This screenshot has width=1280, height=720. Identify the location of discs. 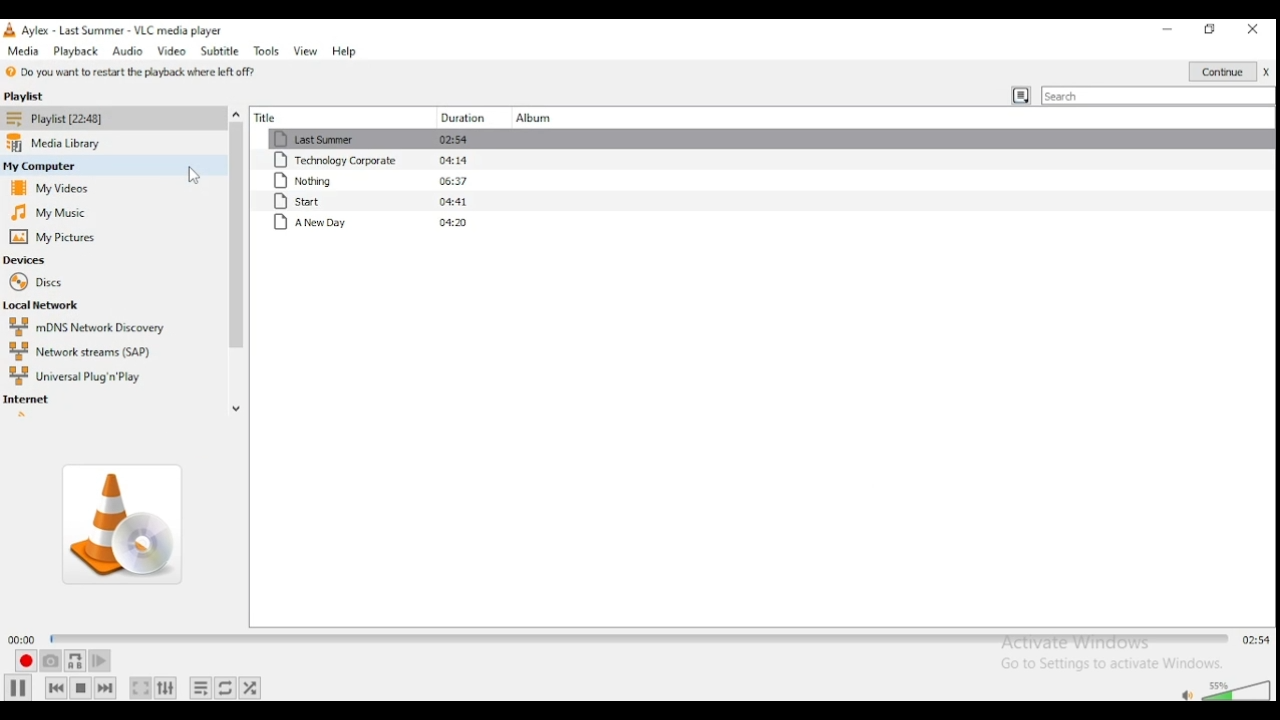
(42, 283).